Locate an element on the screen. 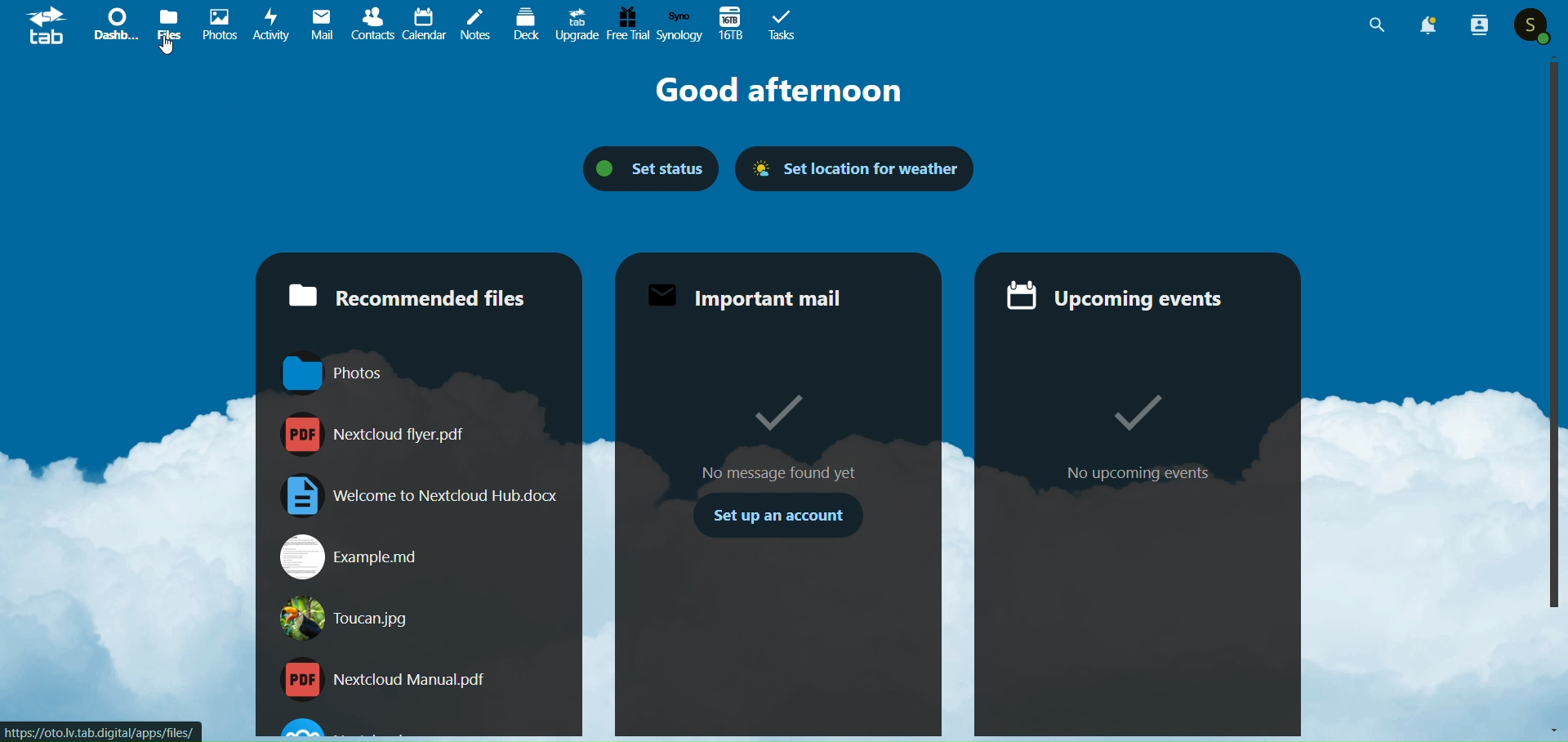 The width and height of the screenshot is (1568, 742). calendar is located at coordinates (425, 25).